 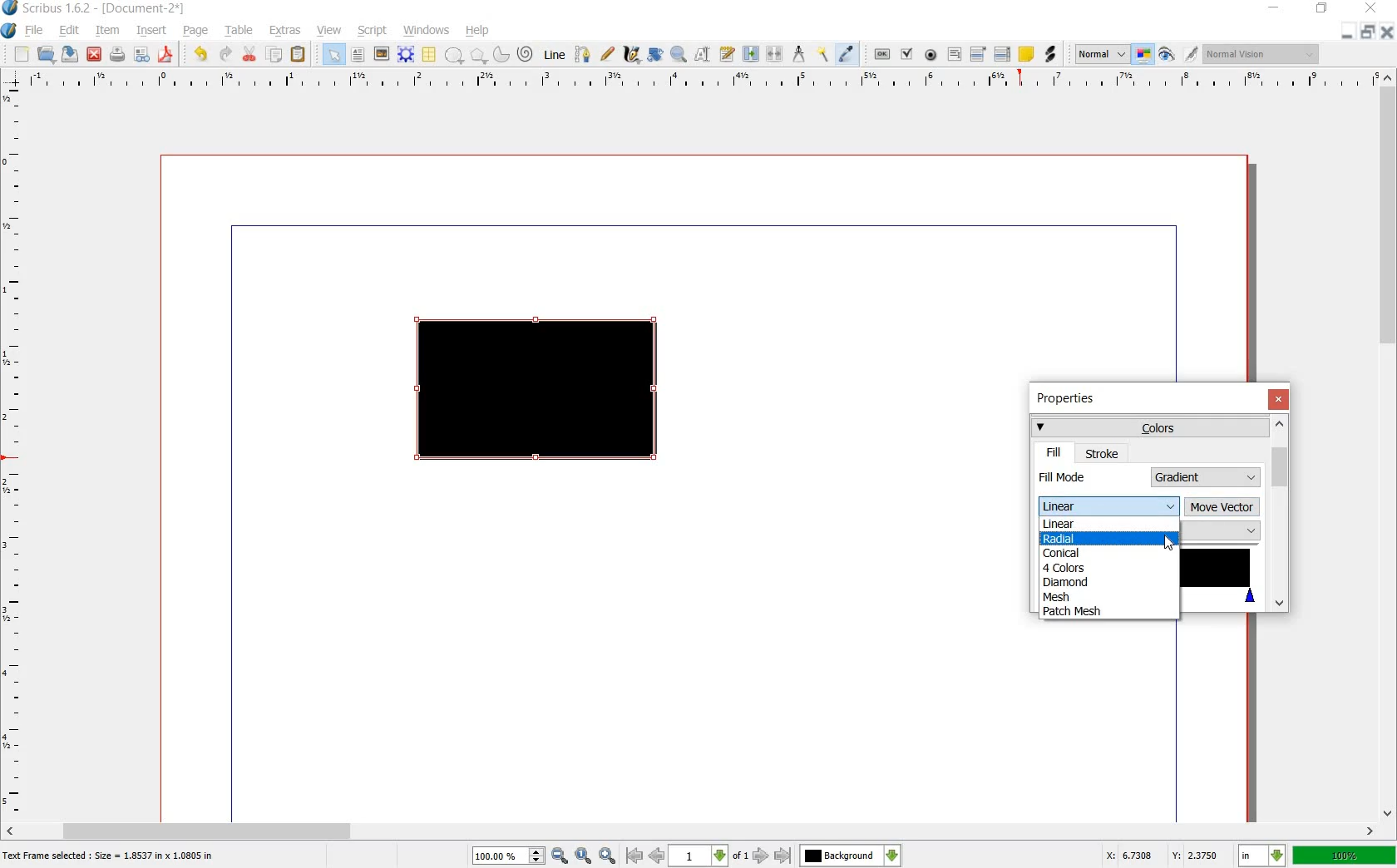 I want to click on copy item properties, so click(x=824, y=53).